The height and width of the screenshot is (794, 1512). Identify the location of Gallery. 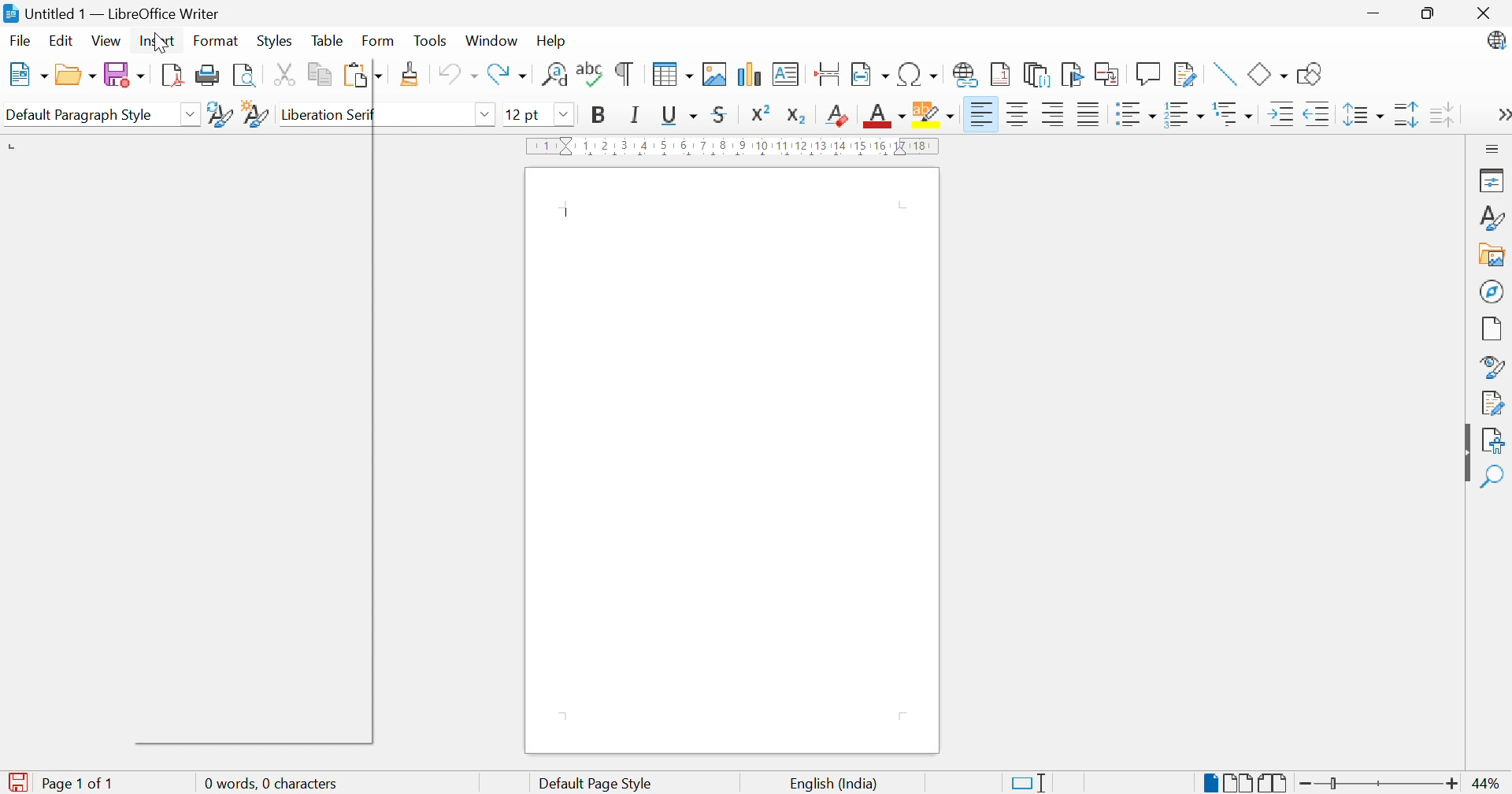
(1493, 254).